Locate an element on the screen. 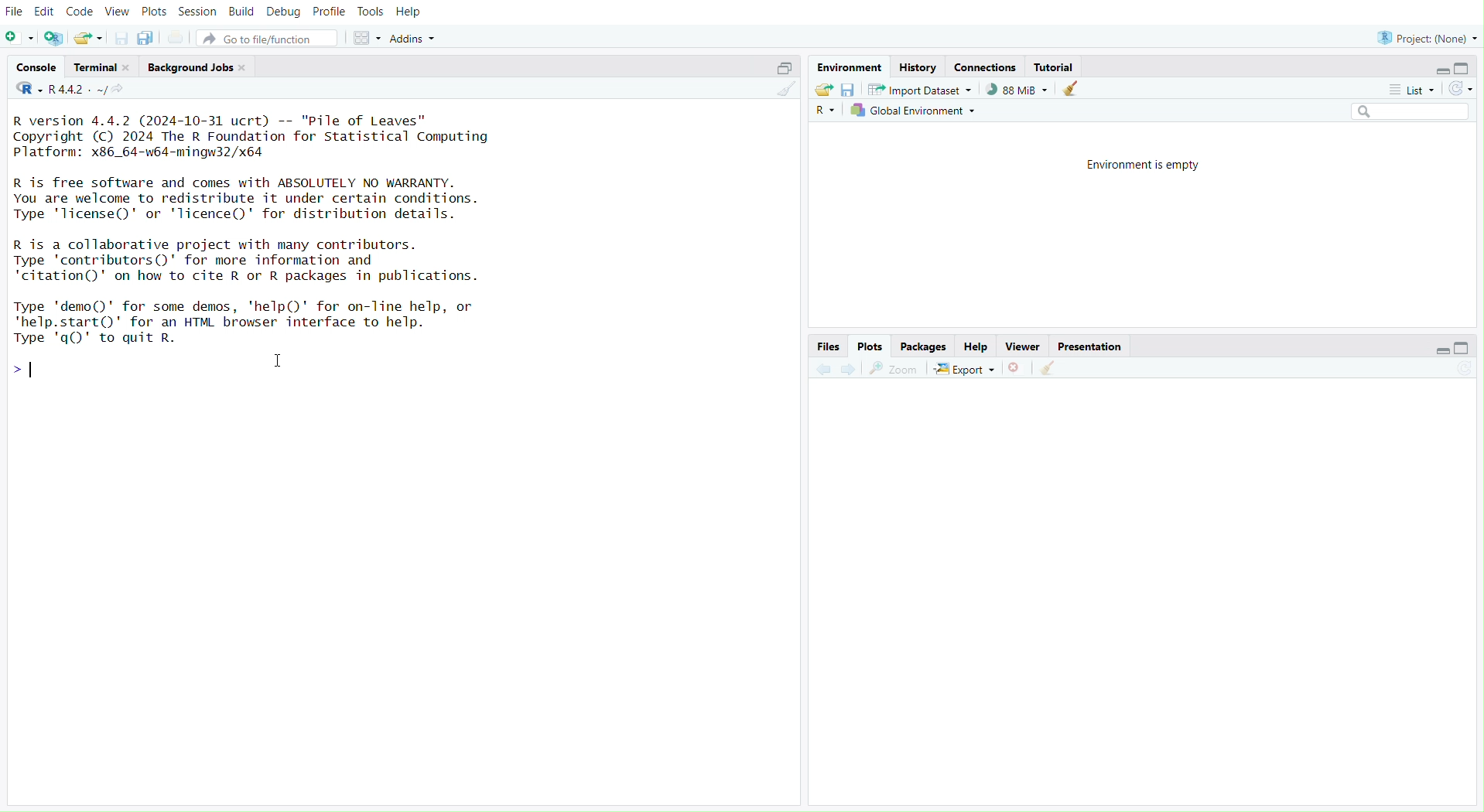 Image resolution: width=1484 pixels, height=812 pixels. Viewer is located at coordinates (1022, 347).